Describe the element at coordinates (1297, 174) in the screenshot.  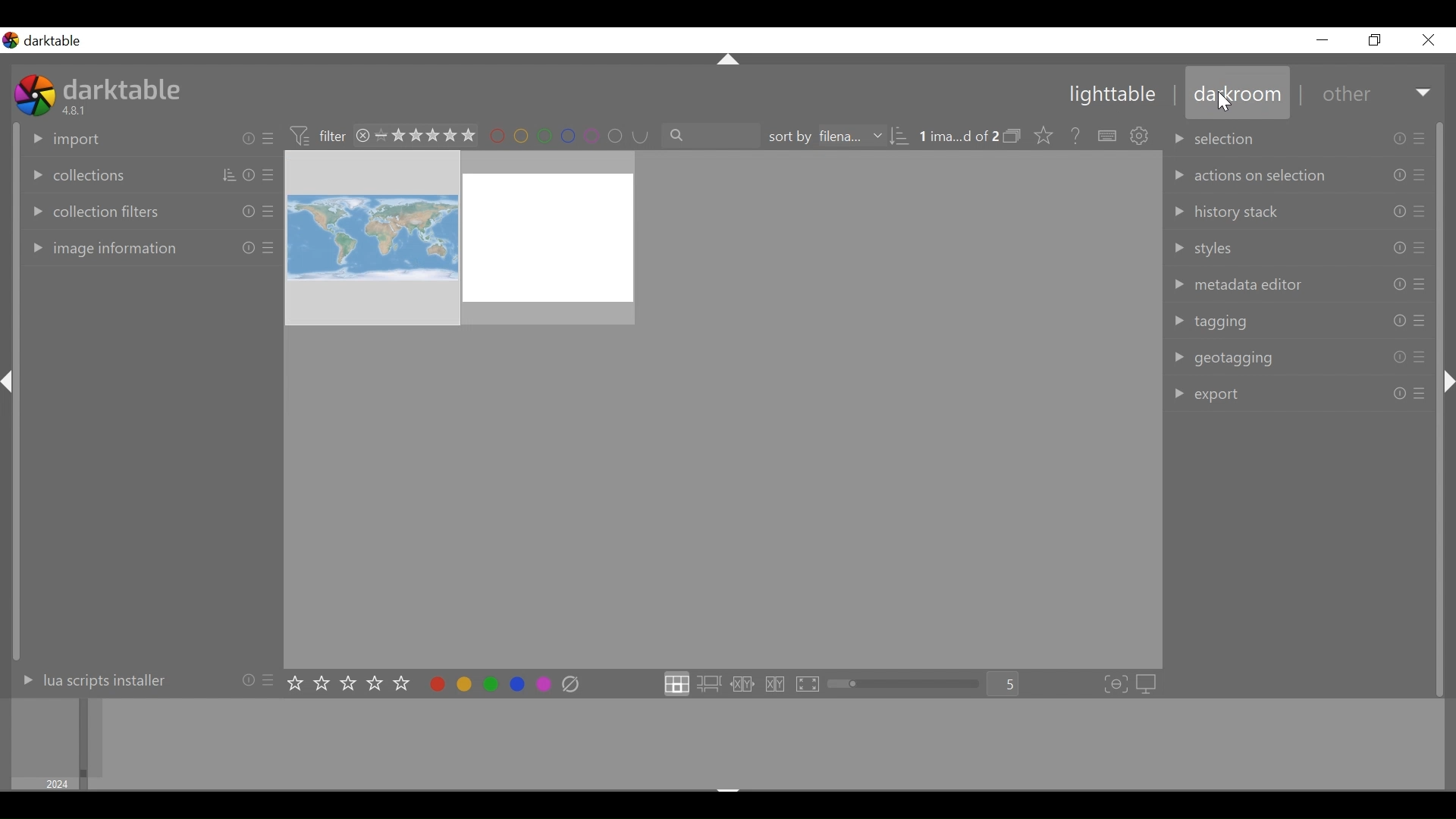
I see `action of selection` at that location.